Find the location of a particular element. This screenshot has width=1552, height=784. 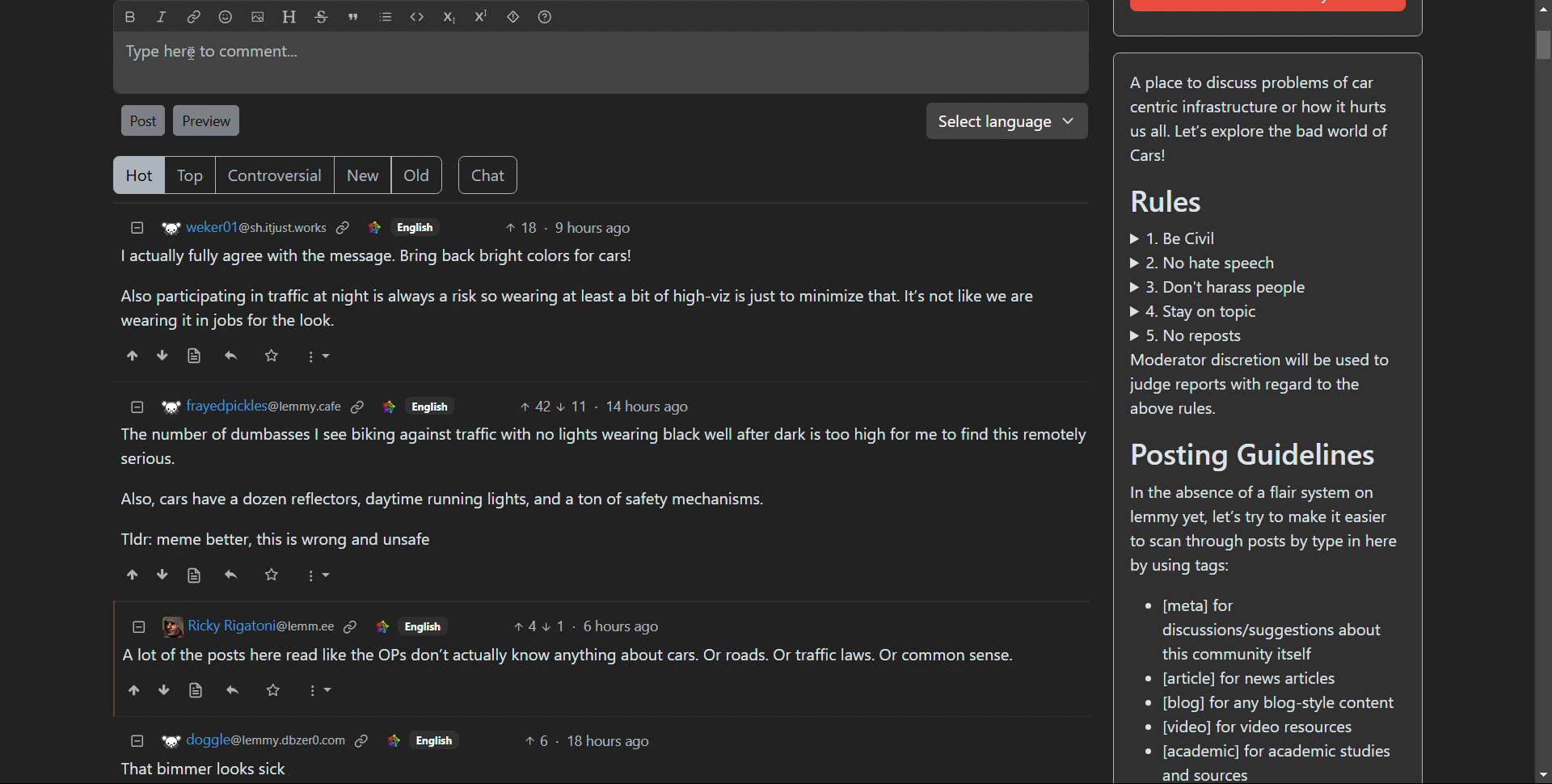

collapse is located at coordinates (137, 407).